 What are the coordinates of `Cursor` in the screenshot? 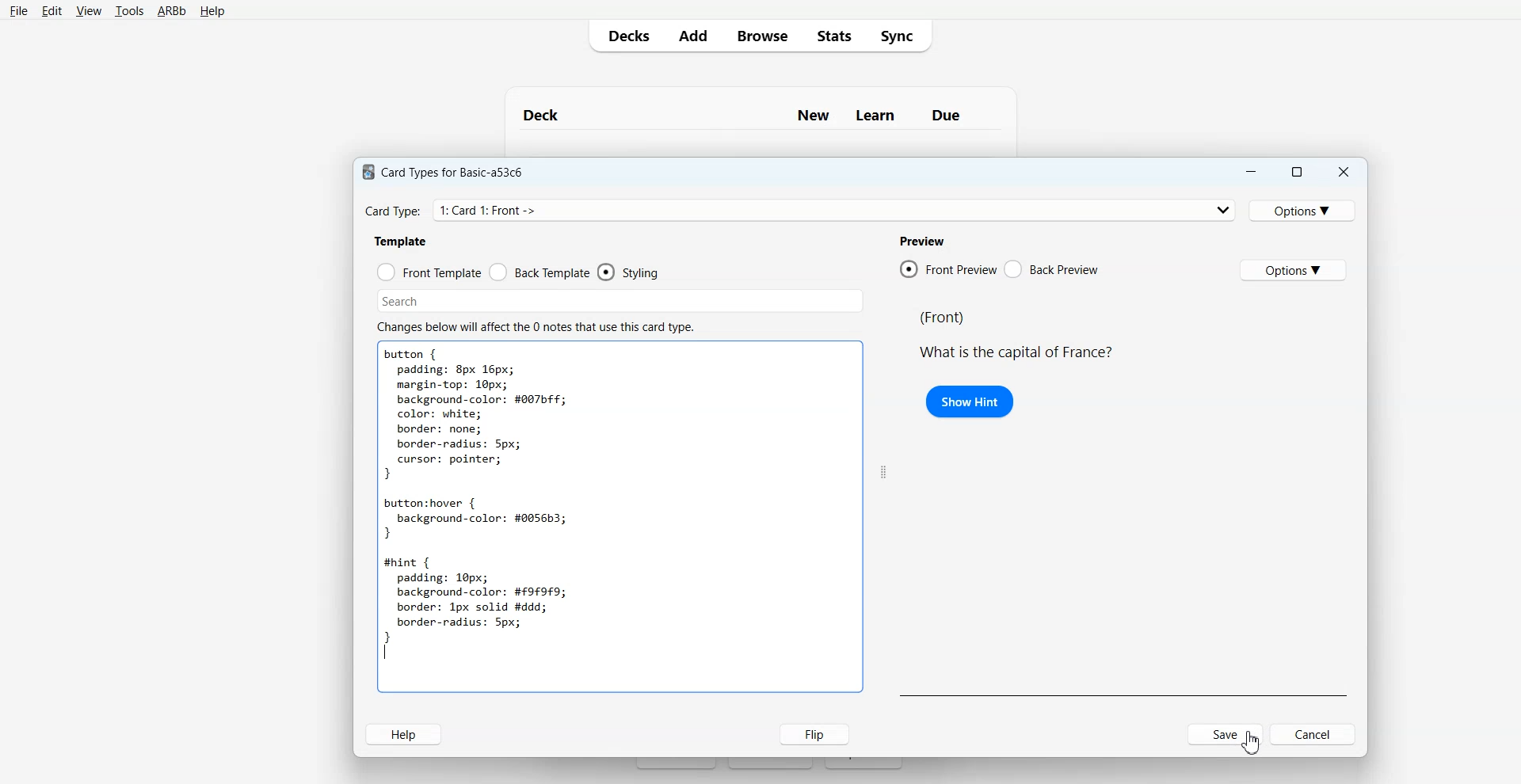 It's located at (1252, 742).